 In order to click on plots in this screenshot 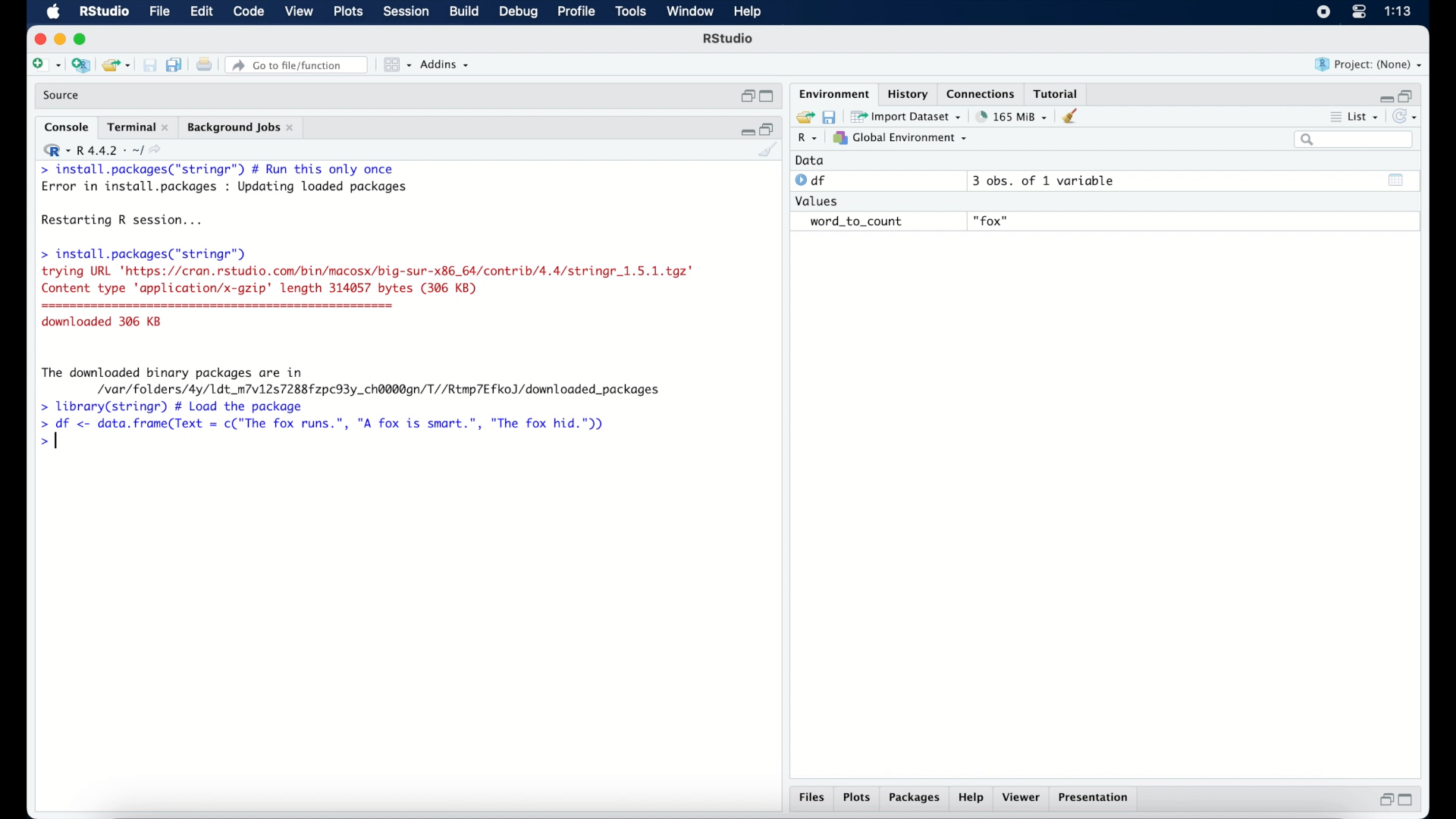, I will do `click(350, 12)`.